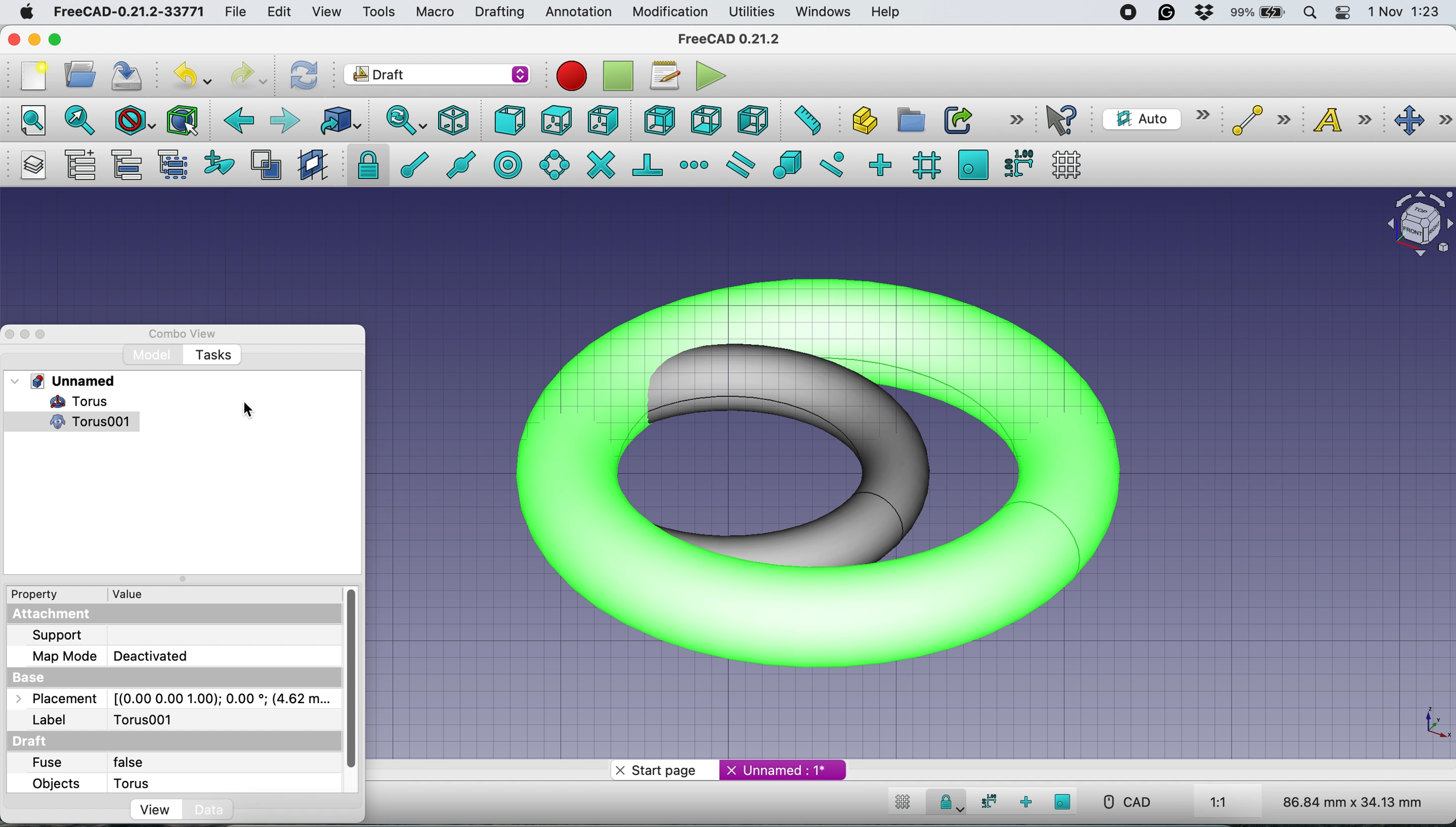  I want to click on windows, so click(826, 12).